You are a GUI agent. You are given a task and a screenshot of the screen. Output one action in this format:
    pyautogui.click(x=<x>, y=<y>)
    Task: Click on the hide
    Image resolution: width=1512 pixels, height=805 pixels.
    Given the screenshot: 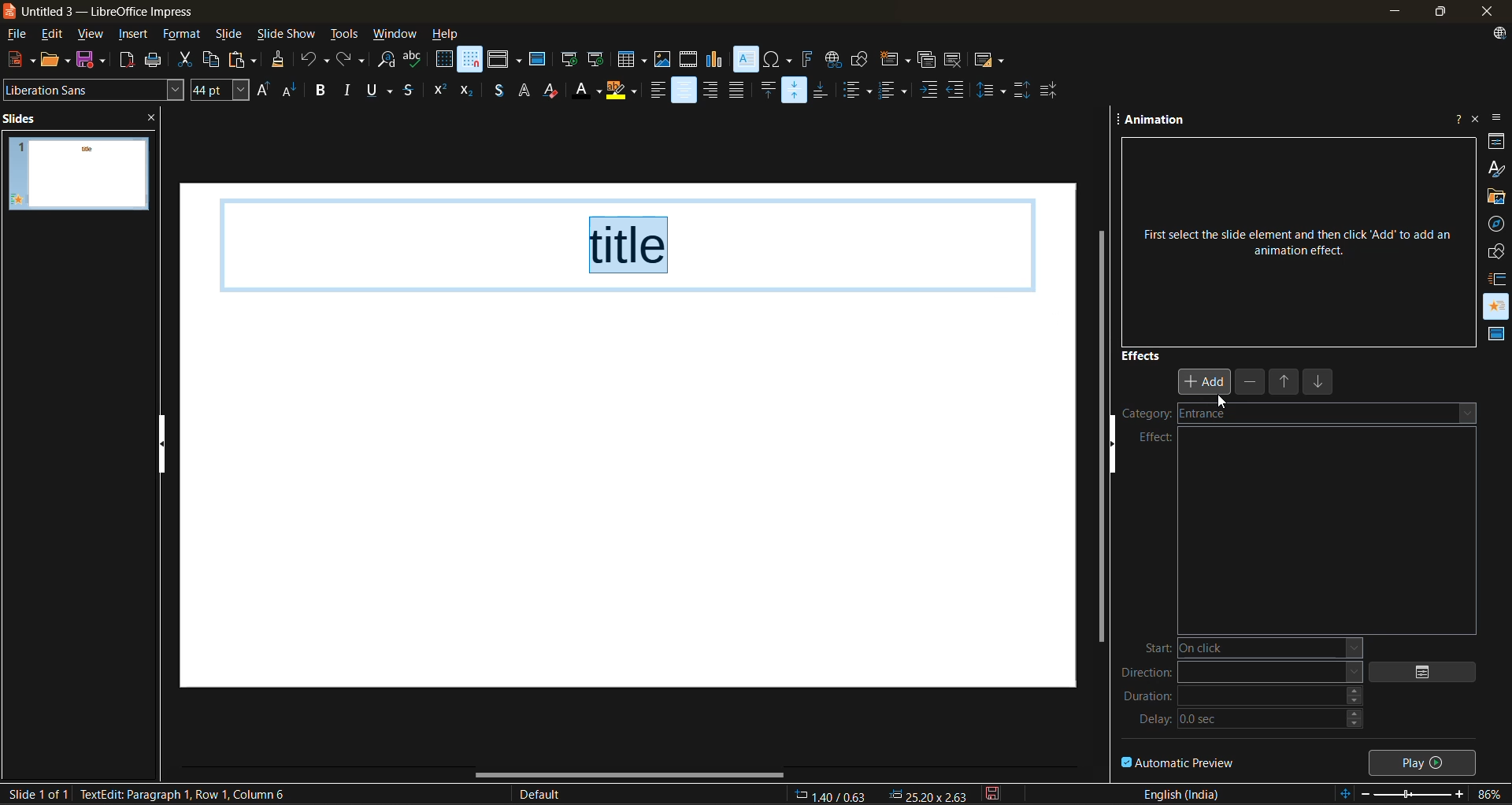 What is the action you would take?
    pyautogui.click(x=165, y=443)
    